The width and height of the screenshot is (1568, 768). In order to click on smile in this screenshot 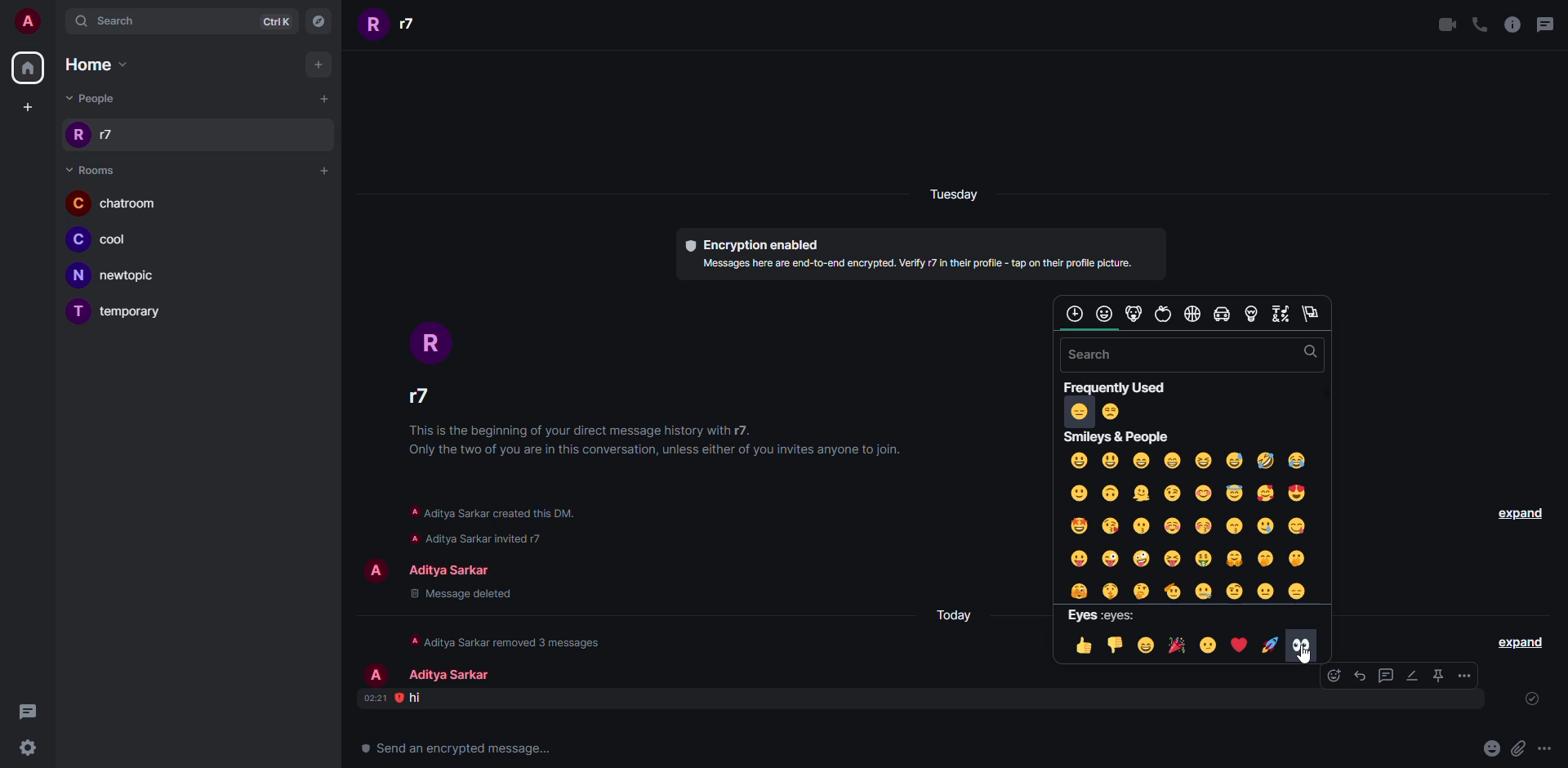, I will do `click(1147, 645)`.